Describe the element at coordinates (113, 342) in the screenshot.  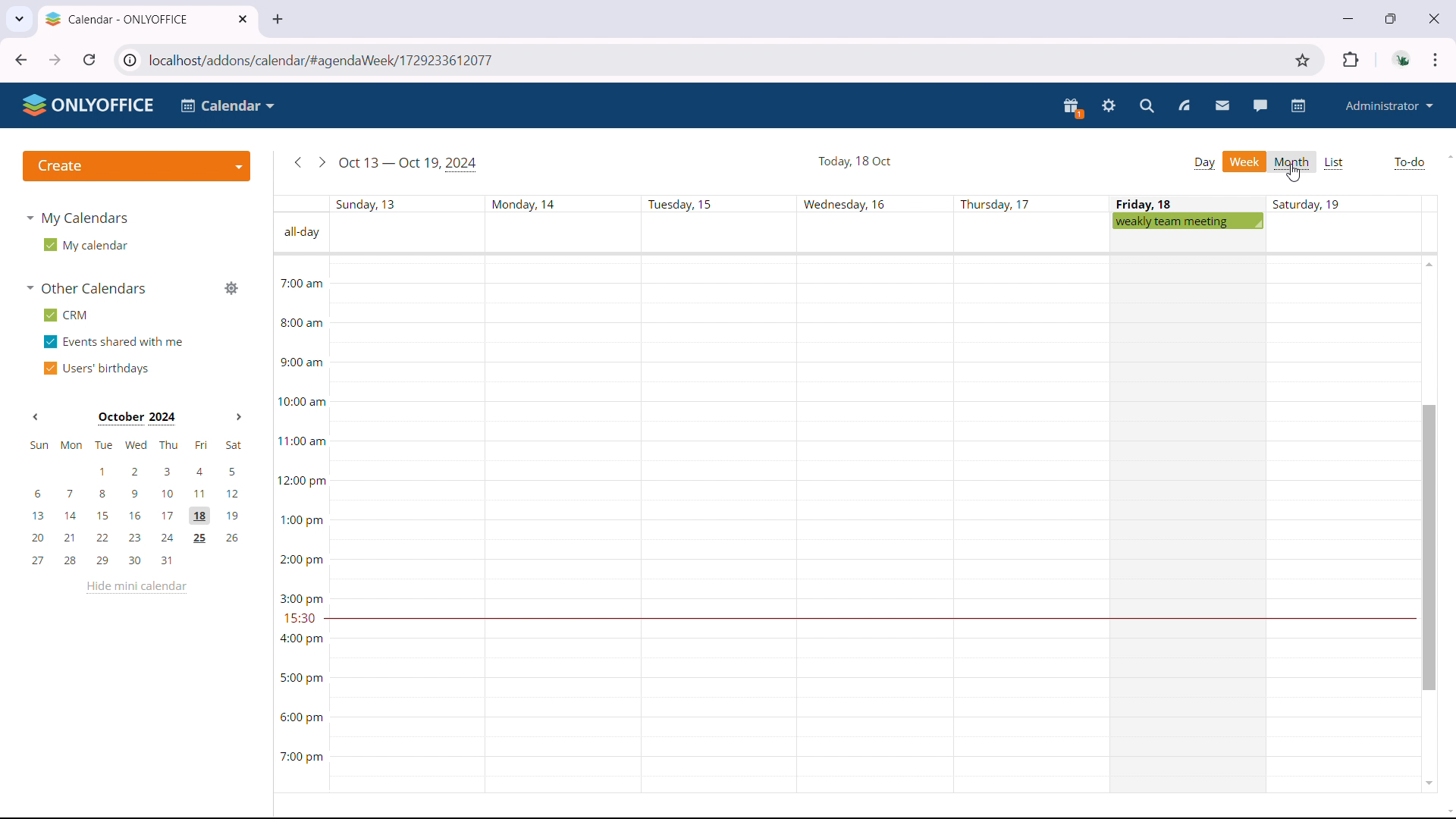
I see `events shared with me` at that location.